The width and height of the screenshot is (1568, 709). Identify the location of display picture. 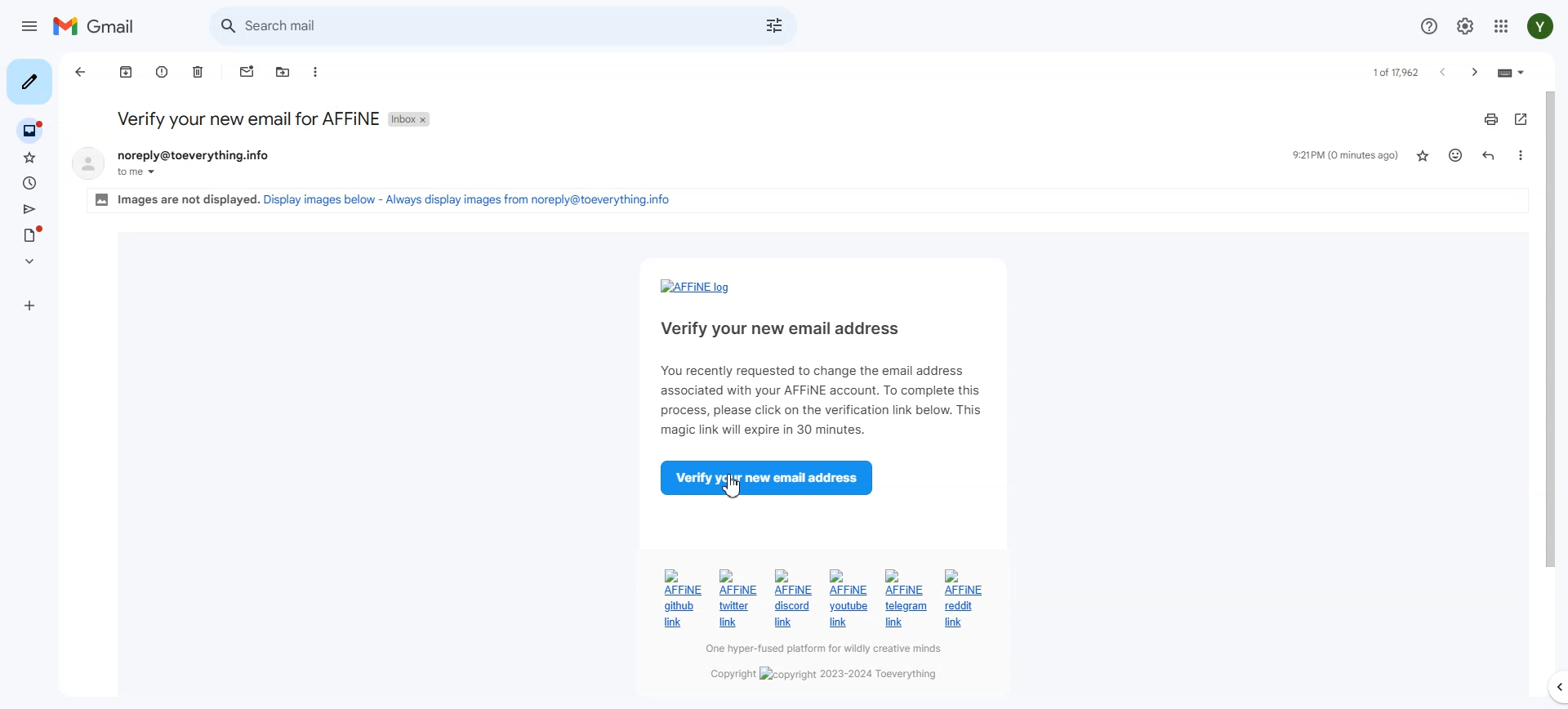
(84, 165).